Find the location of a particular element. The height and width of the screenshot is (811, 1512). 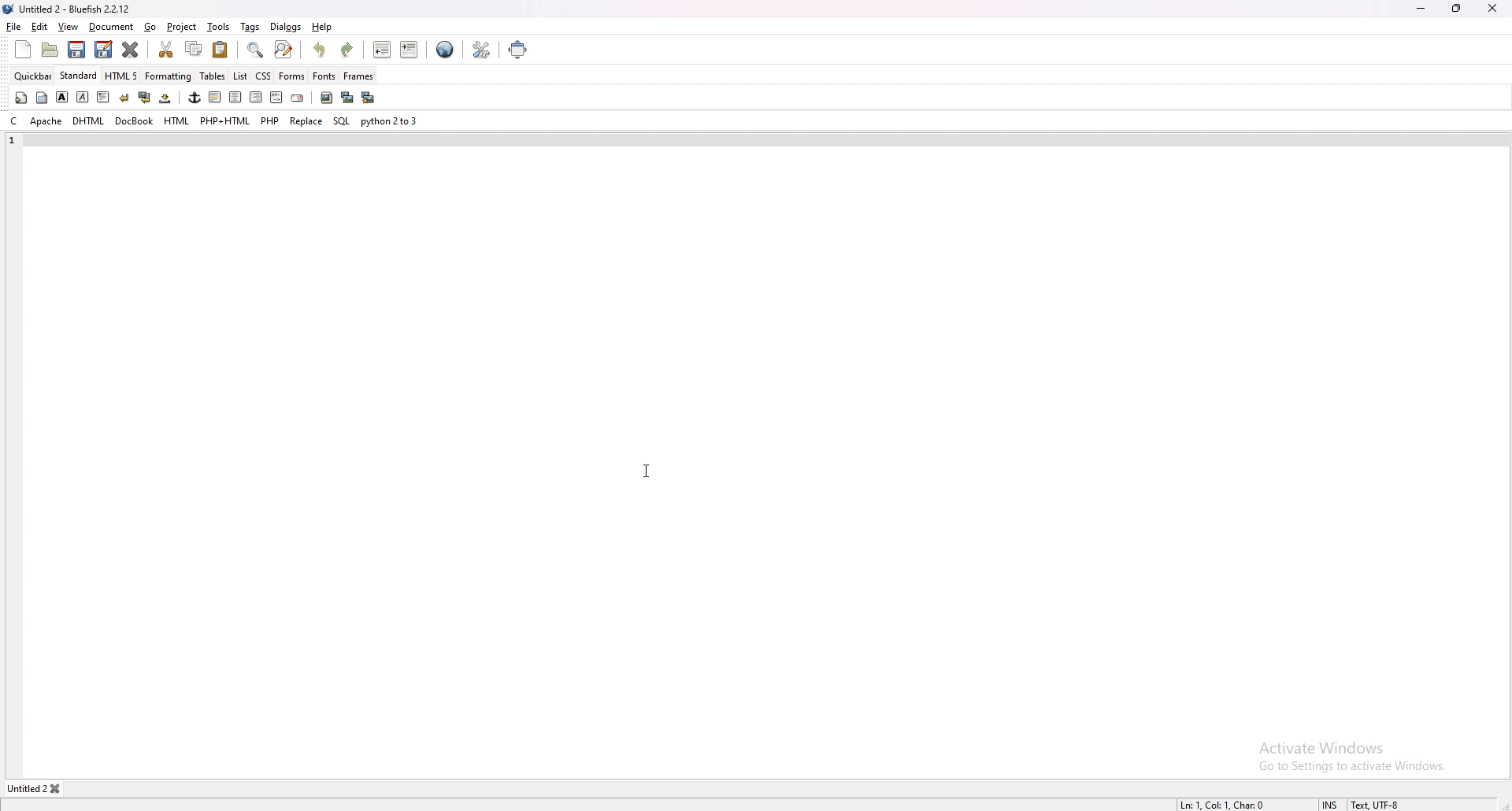

right justify is located at coordinates (257, 98).